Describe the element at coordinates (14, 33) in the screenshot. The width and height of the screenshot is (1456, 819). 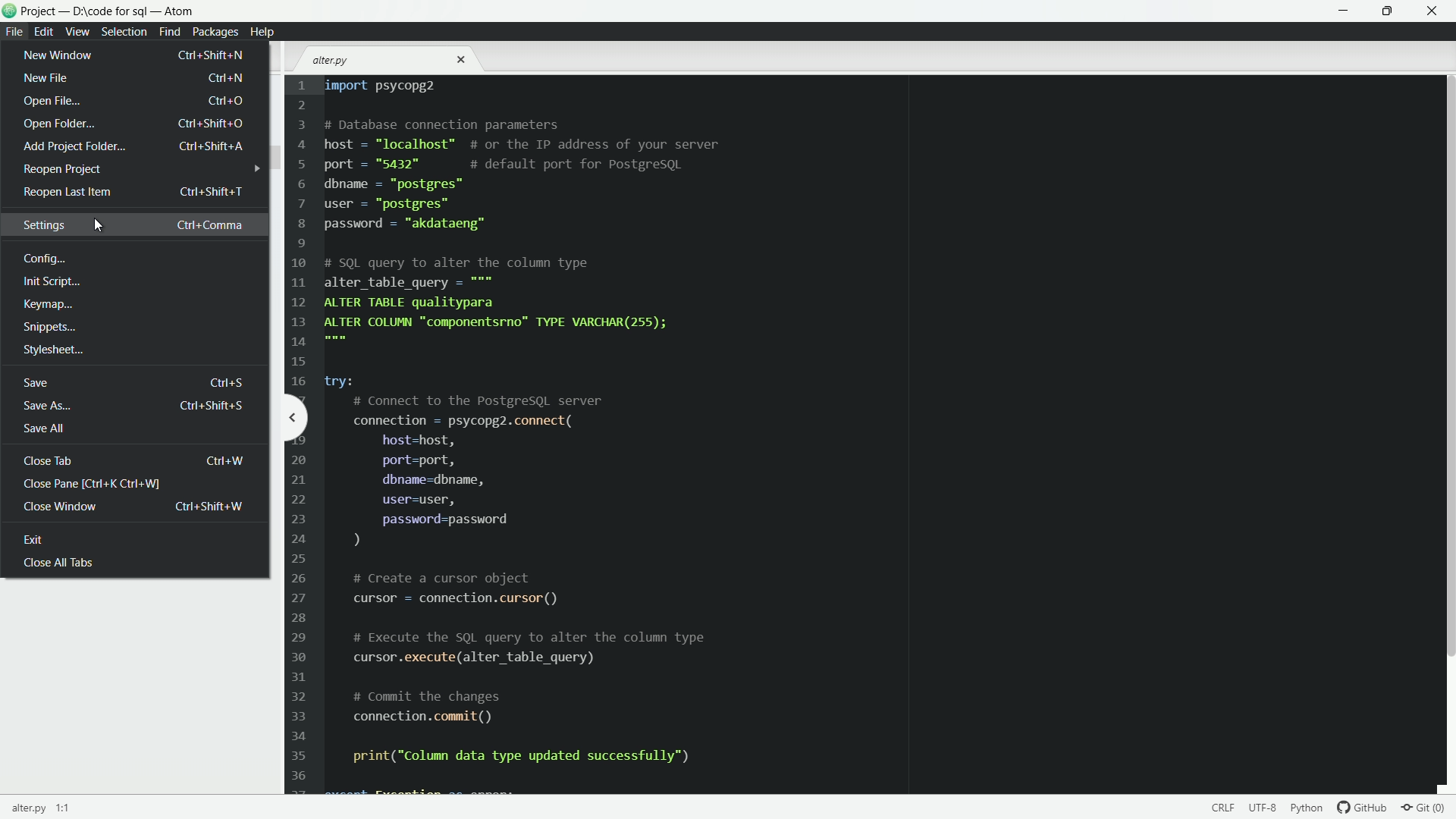
I see `file menu` at that location.